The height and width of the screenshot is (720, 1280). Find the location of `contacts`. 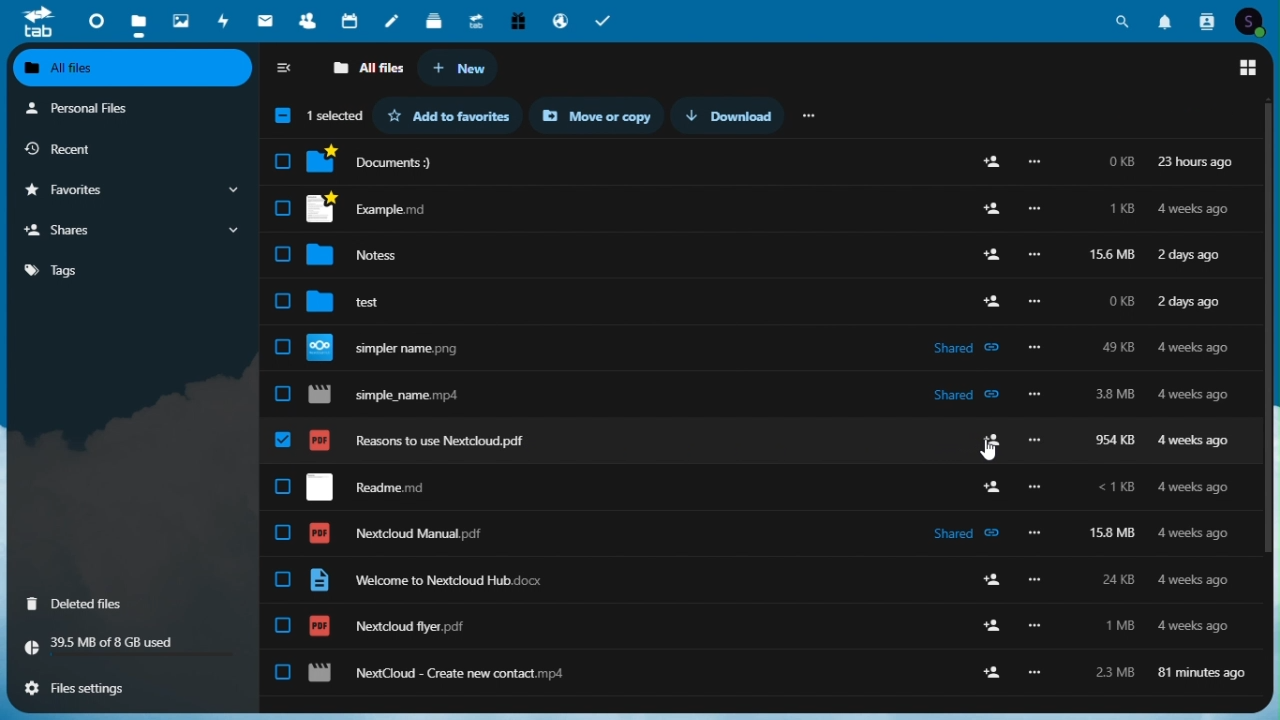

contacts is located at coordinates (1205, 20).